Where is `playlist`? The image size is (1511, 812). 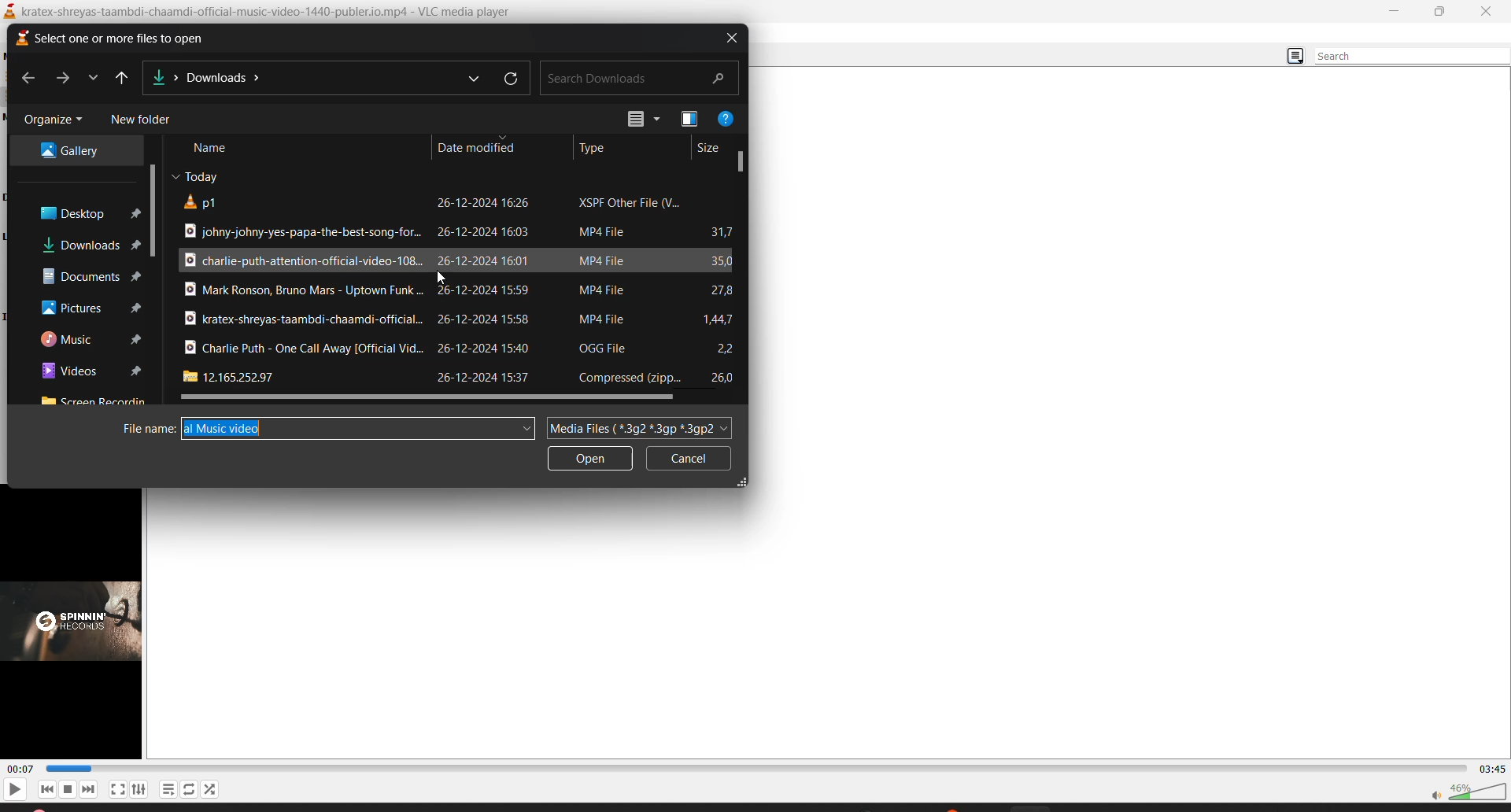
playlist is located at coordinates (166, 792).